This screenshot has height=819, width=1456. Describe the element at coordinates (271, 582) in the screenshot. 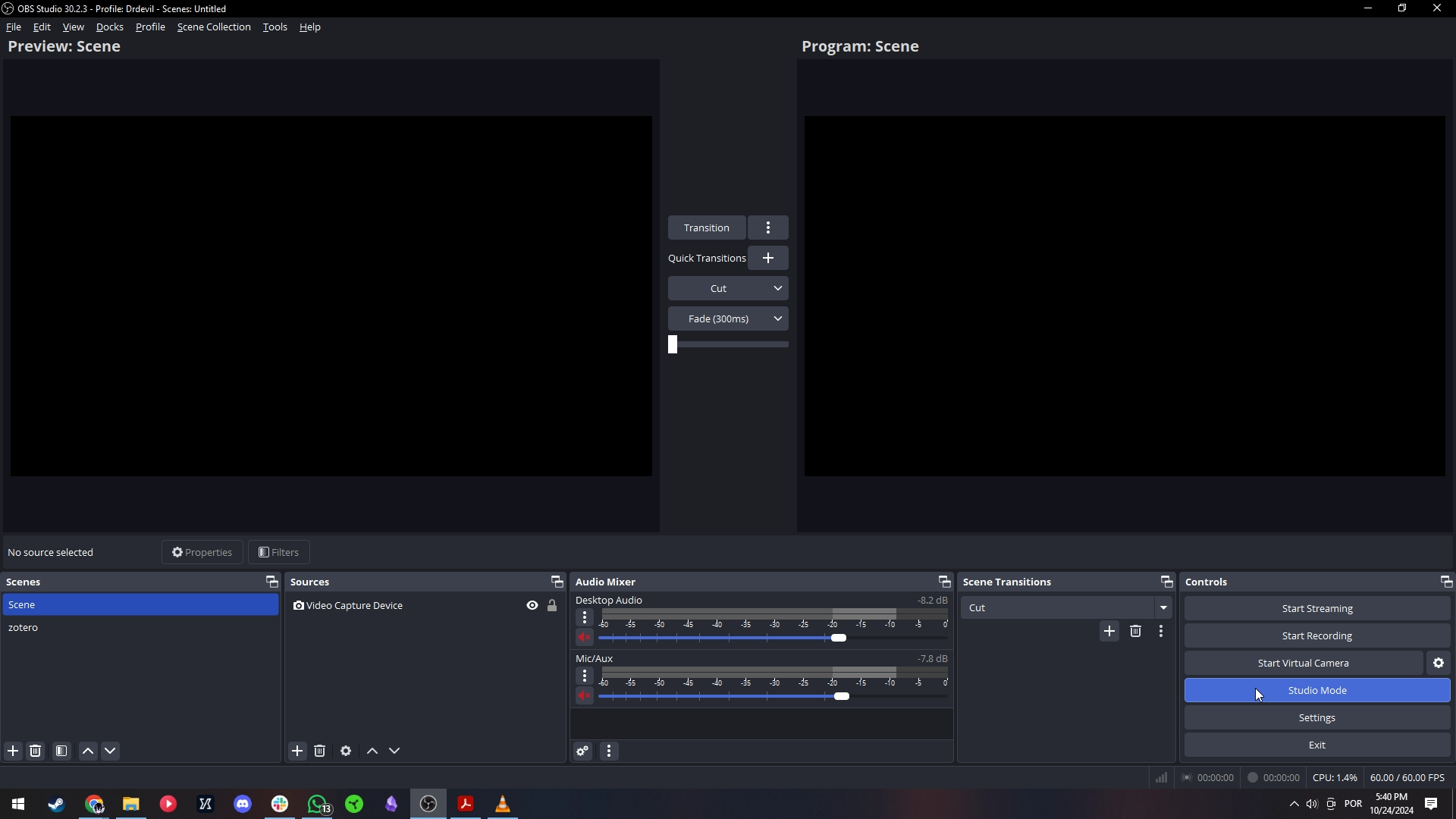

I see `Disconnect scenes window` at that location.